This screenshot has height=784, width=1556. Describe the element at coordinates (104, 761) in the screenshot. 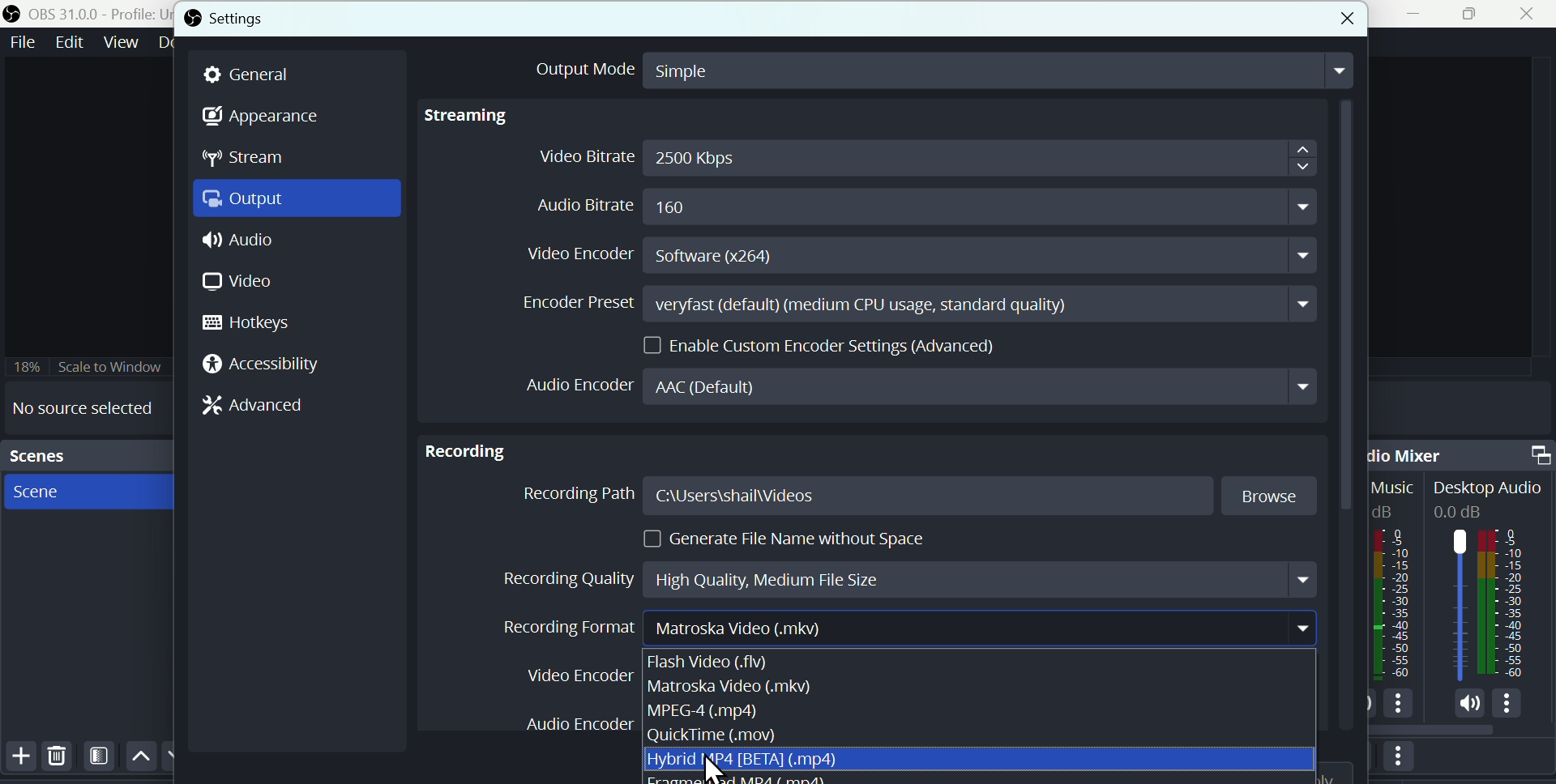

I see `Filters` at that location.